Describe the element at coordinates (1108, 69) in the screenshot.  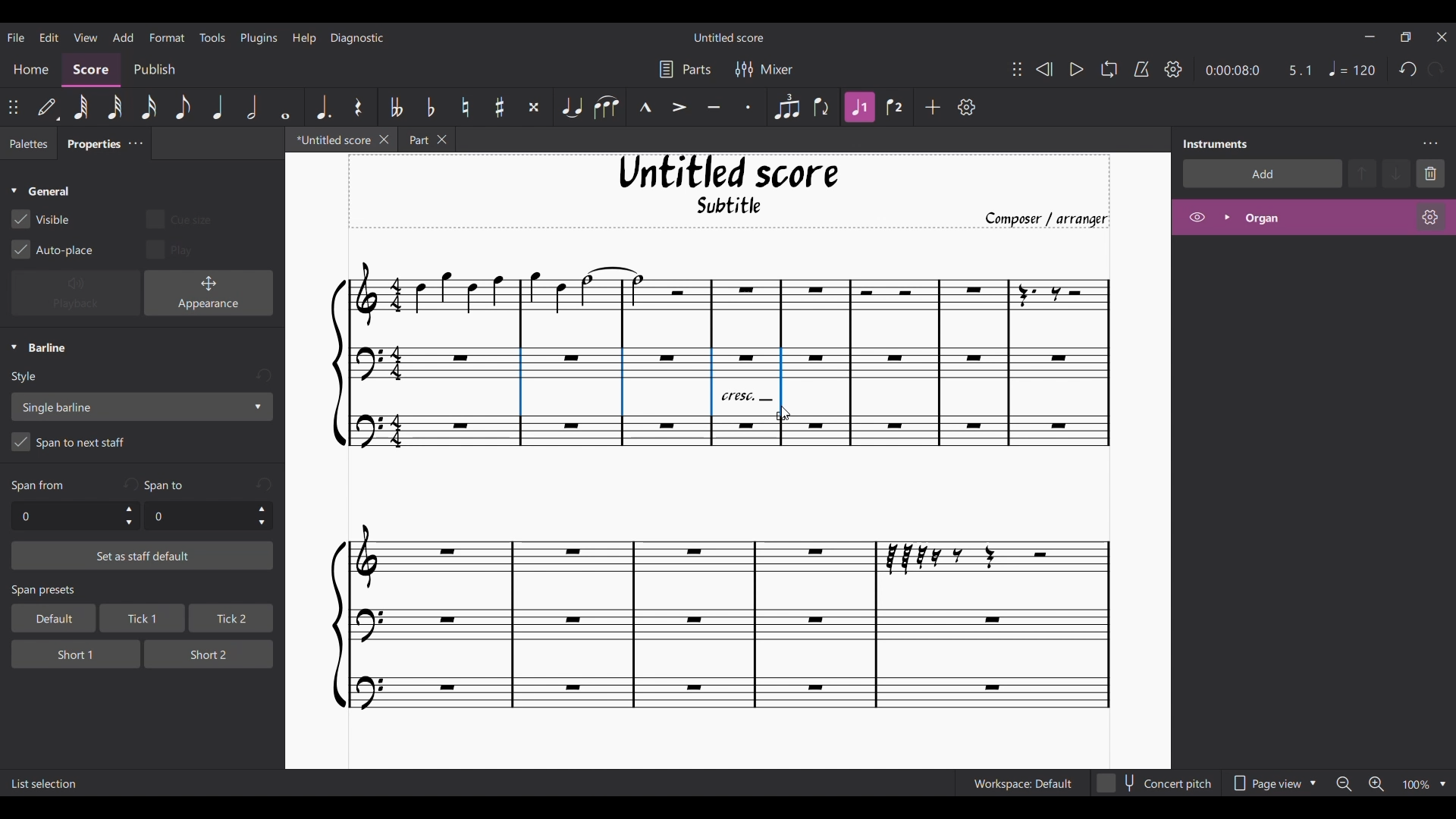
I see `Looping playback` at that location.